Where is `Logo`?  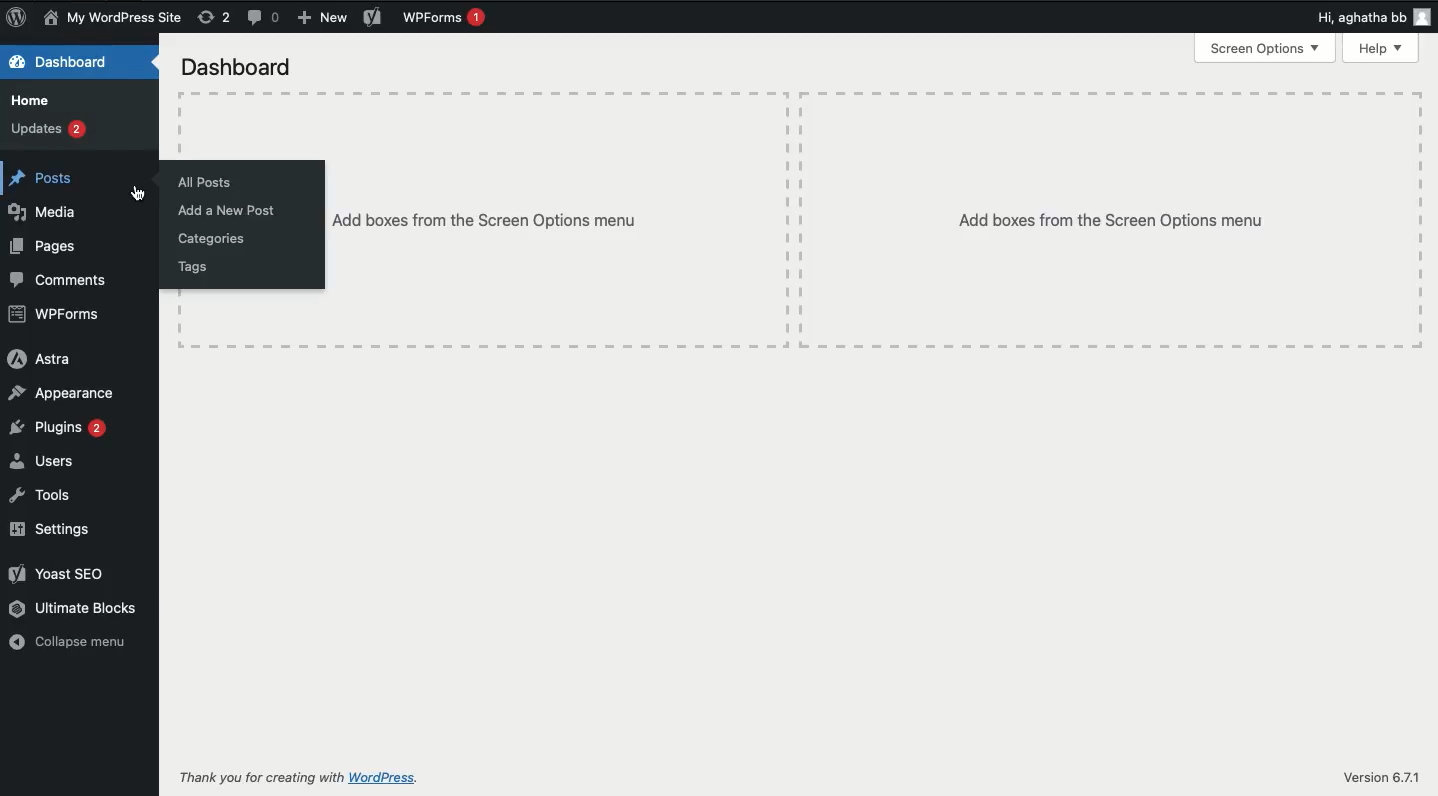 Logo is located at coordinates (14, 18).